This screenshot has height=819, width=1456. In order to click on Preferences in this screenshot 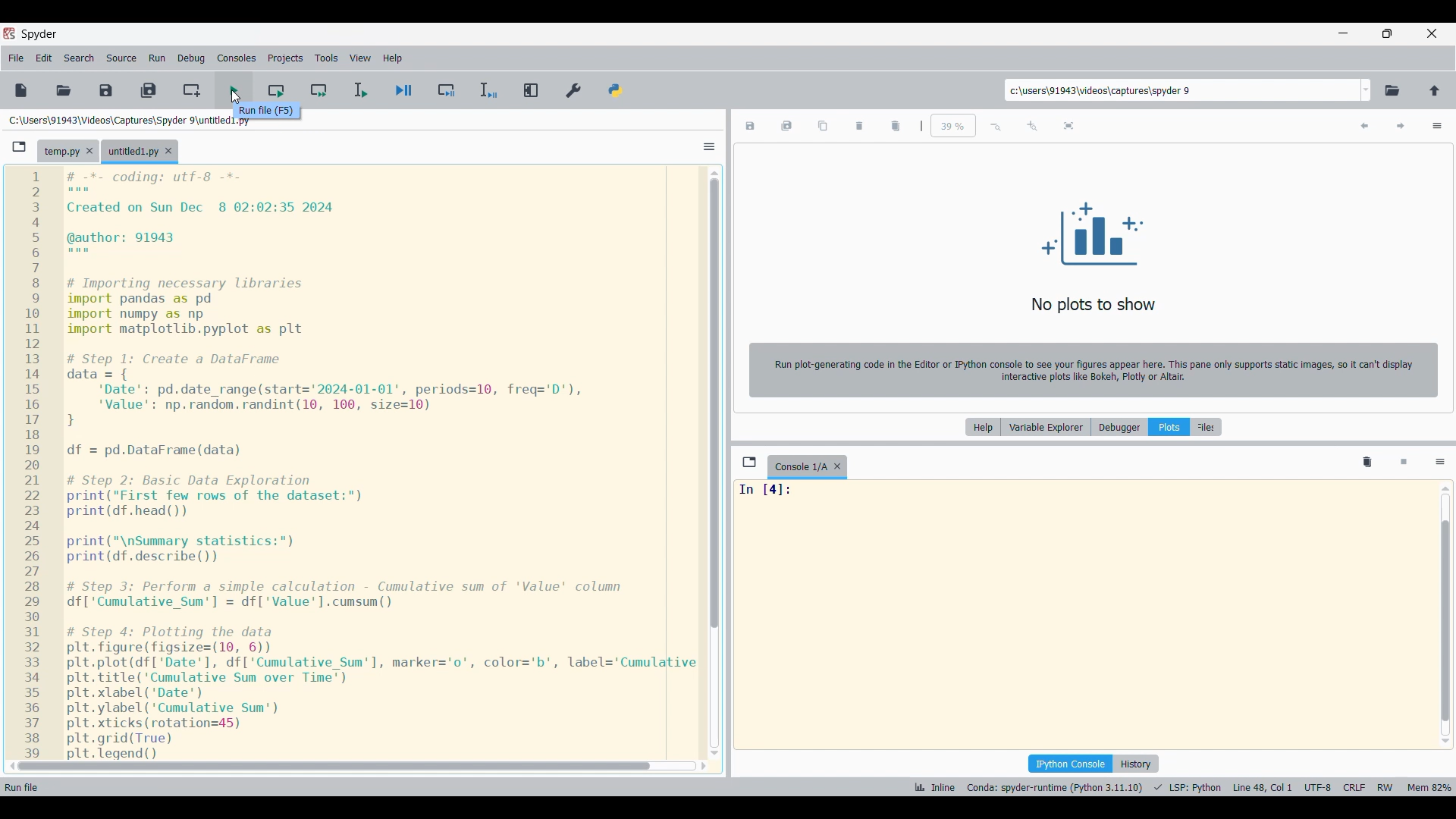, I will do `click(574, 90)`.